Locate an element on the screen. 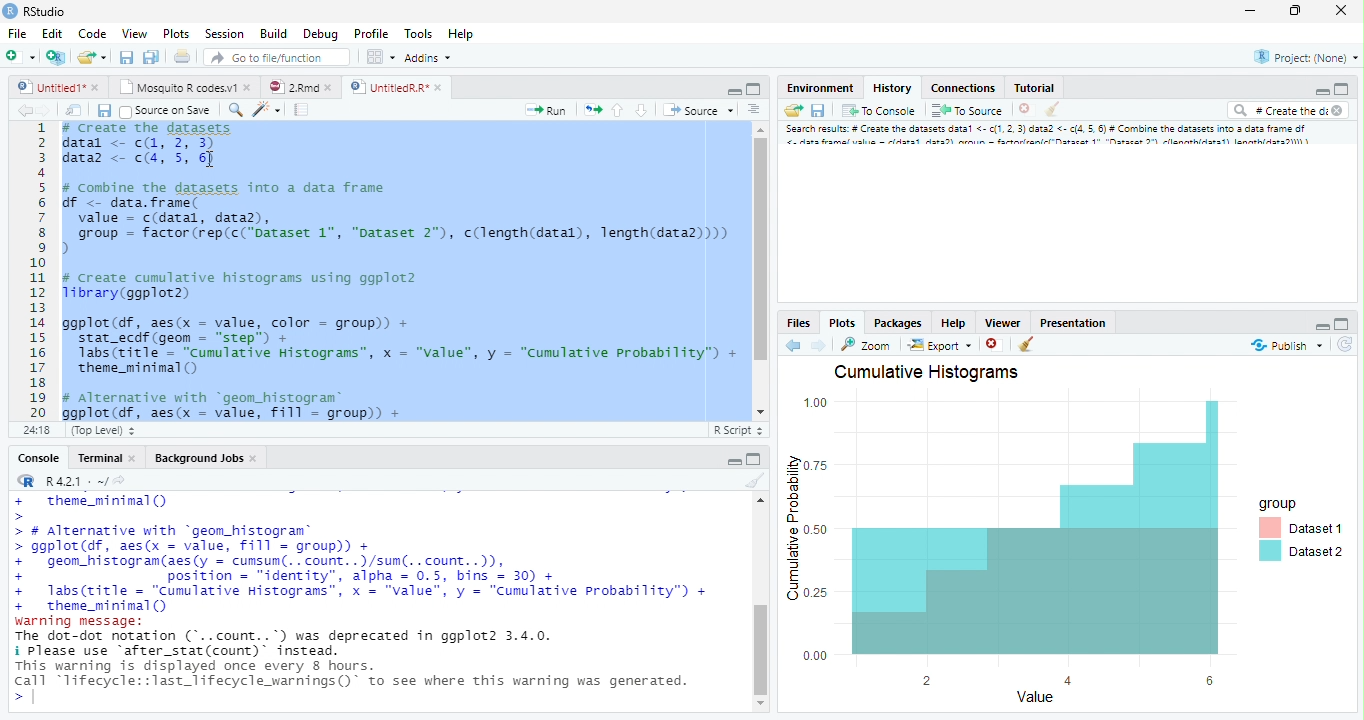 The height and width of the screenshot is (720, 1364). # Create the di is located at coordinates (1286, 112).